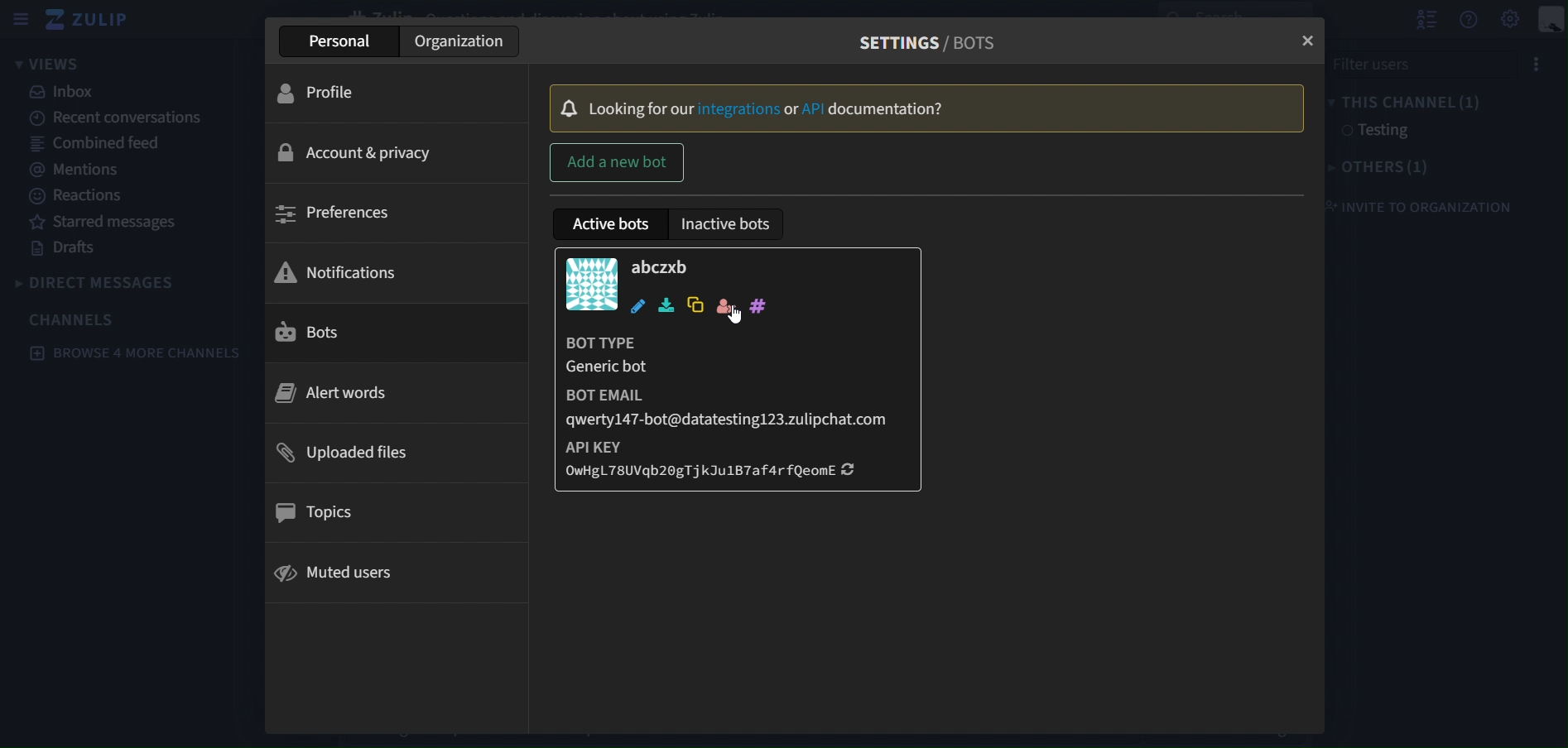 The image size is (1568, 748). I want to click on active bots, so click(615, 223).